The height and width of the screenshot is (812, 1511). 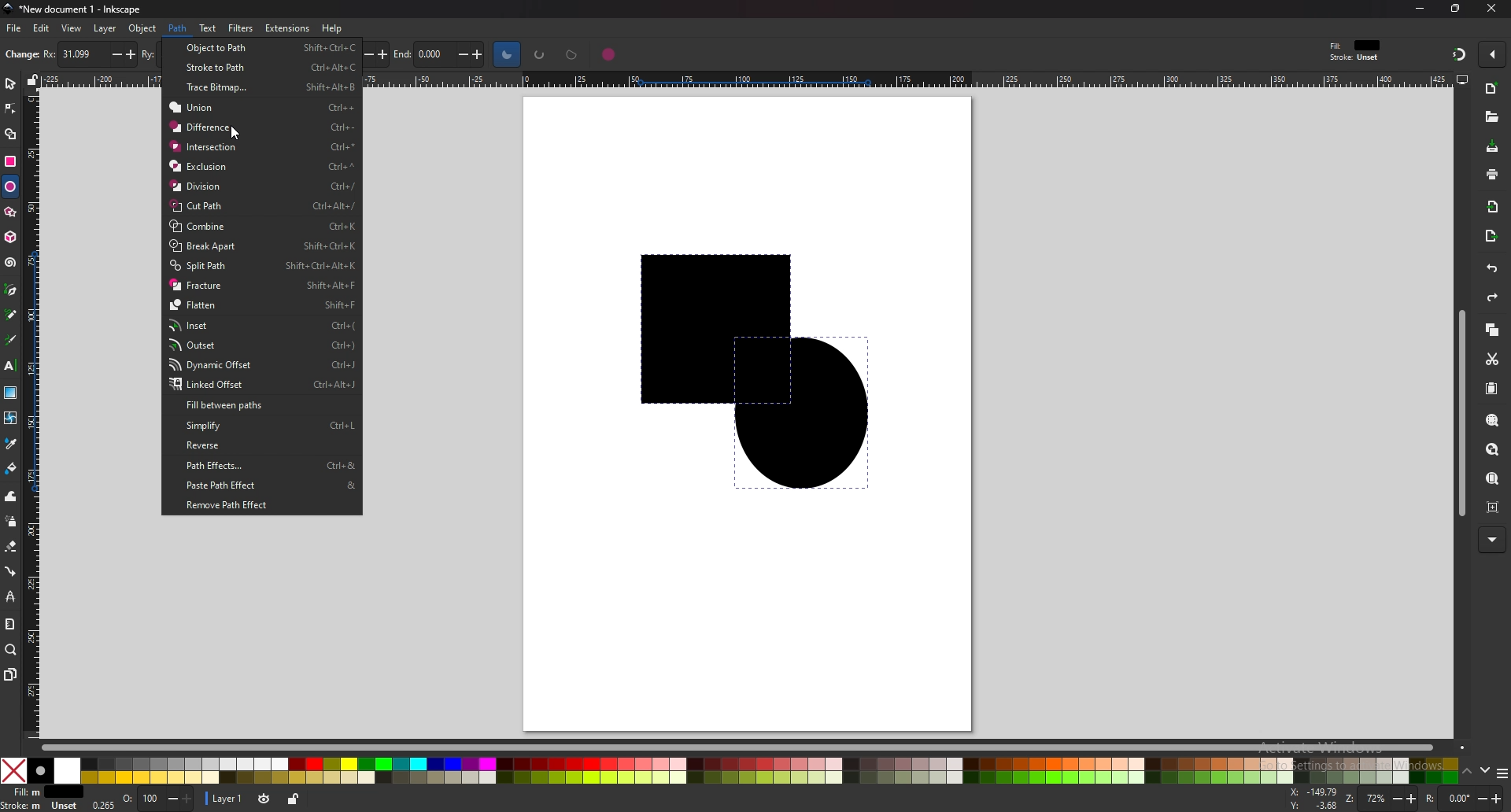 What do you see at coordinates (1492, 54) in the screenshot?
I see `enable snapping` at bounding box center [1492, 54].